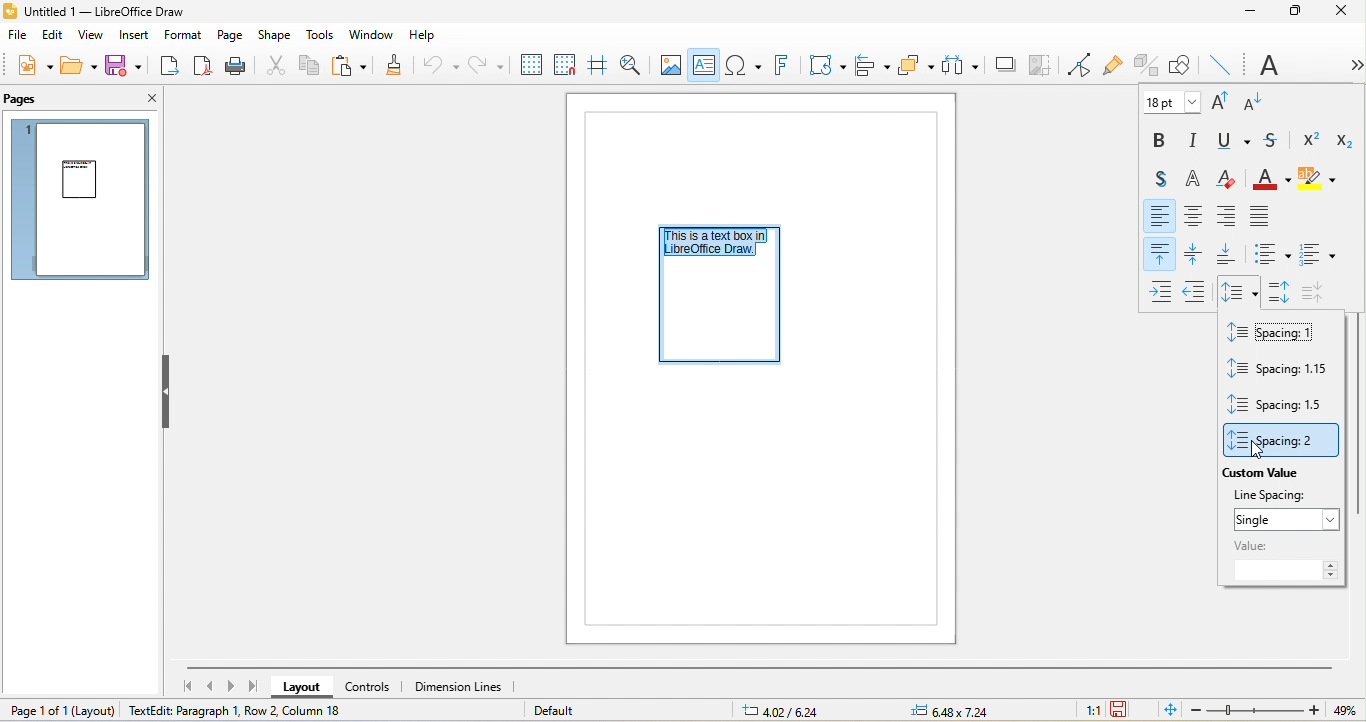 This screenshot has height=722, width=1366. What do you see at coordinates (1256, 102) in the screenshot?
I see `decrease font size` at bounding box center [1256, 102].